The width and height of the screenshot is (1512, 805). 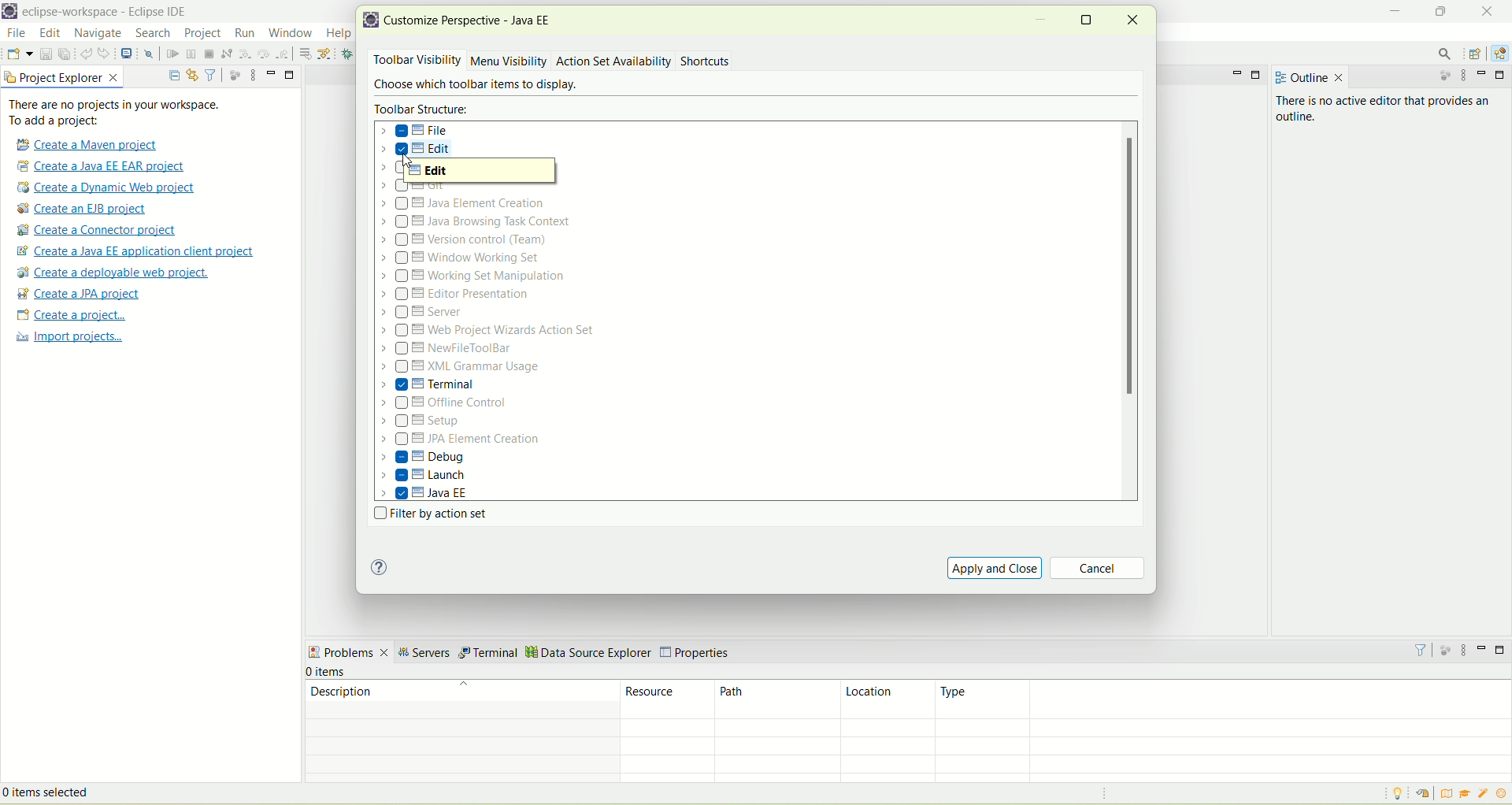 I want to click on step return, so click(x=283, y=54).